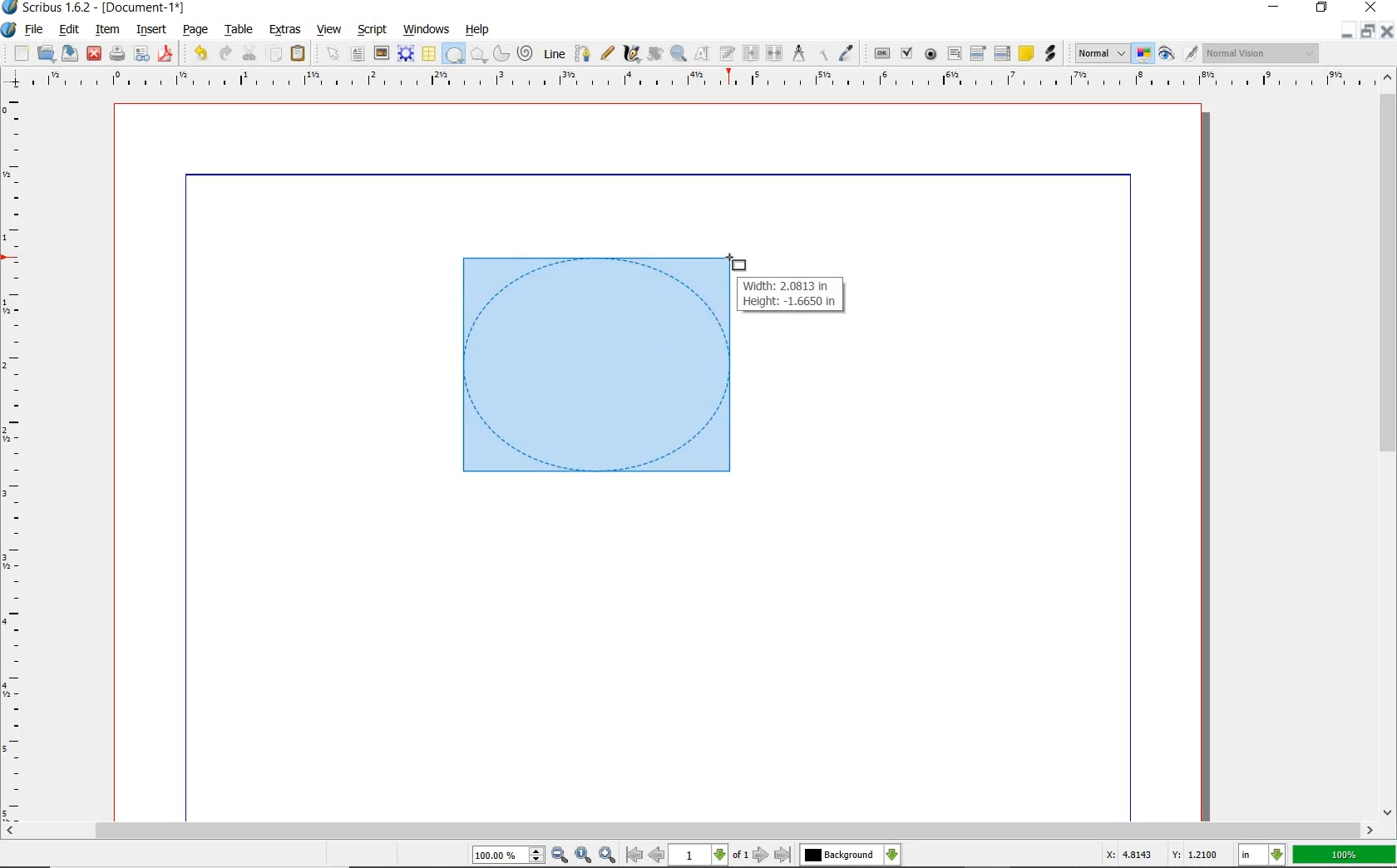 The width and height of the screenshot is (1397, 868). I want to click on SCRIPT, so click(370, 28).